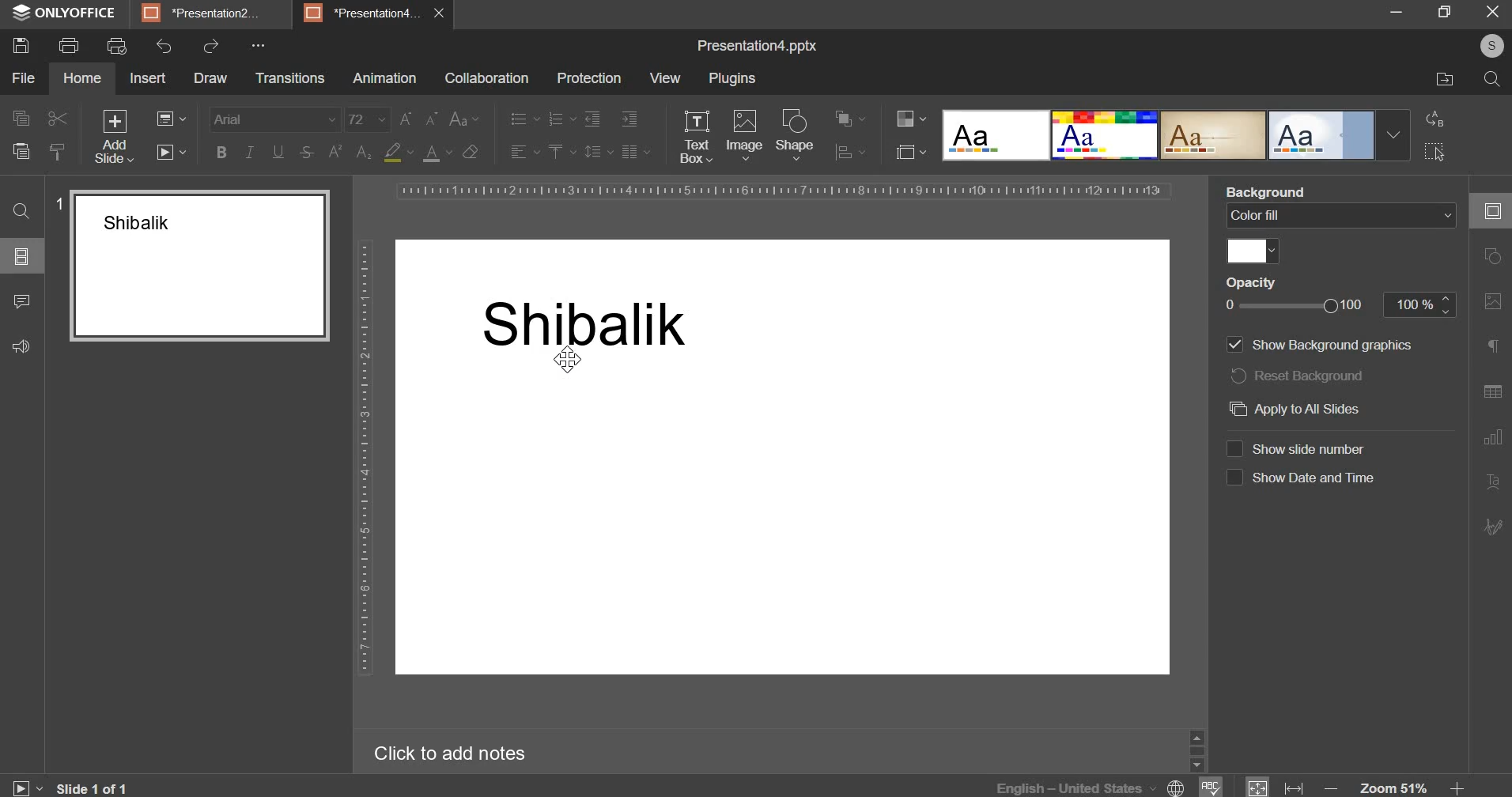  What do you see at coordinates (1437, 152) in the screenshot?
I see `select all` at bounding box center [1437, 152].